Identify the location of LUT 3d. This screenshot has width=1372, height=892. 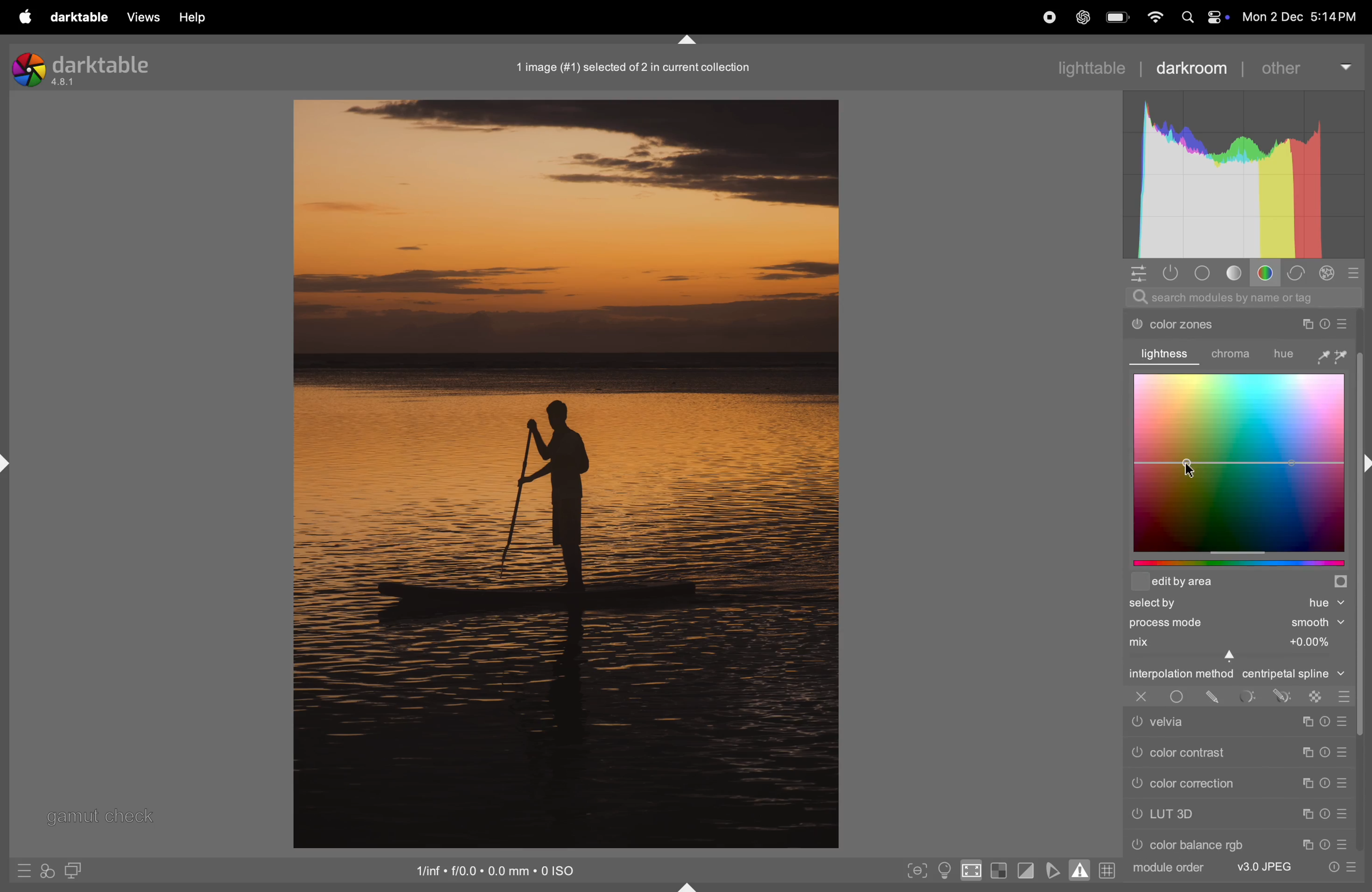
(1204, 814).